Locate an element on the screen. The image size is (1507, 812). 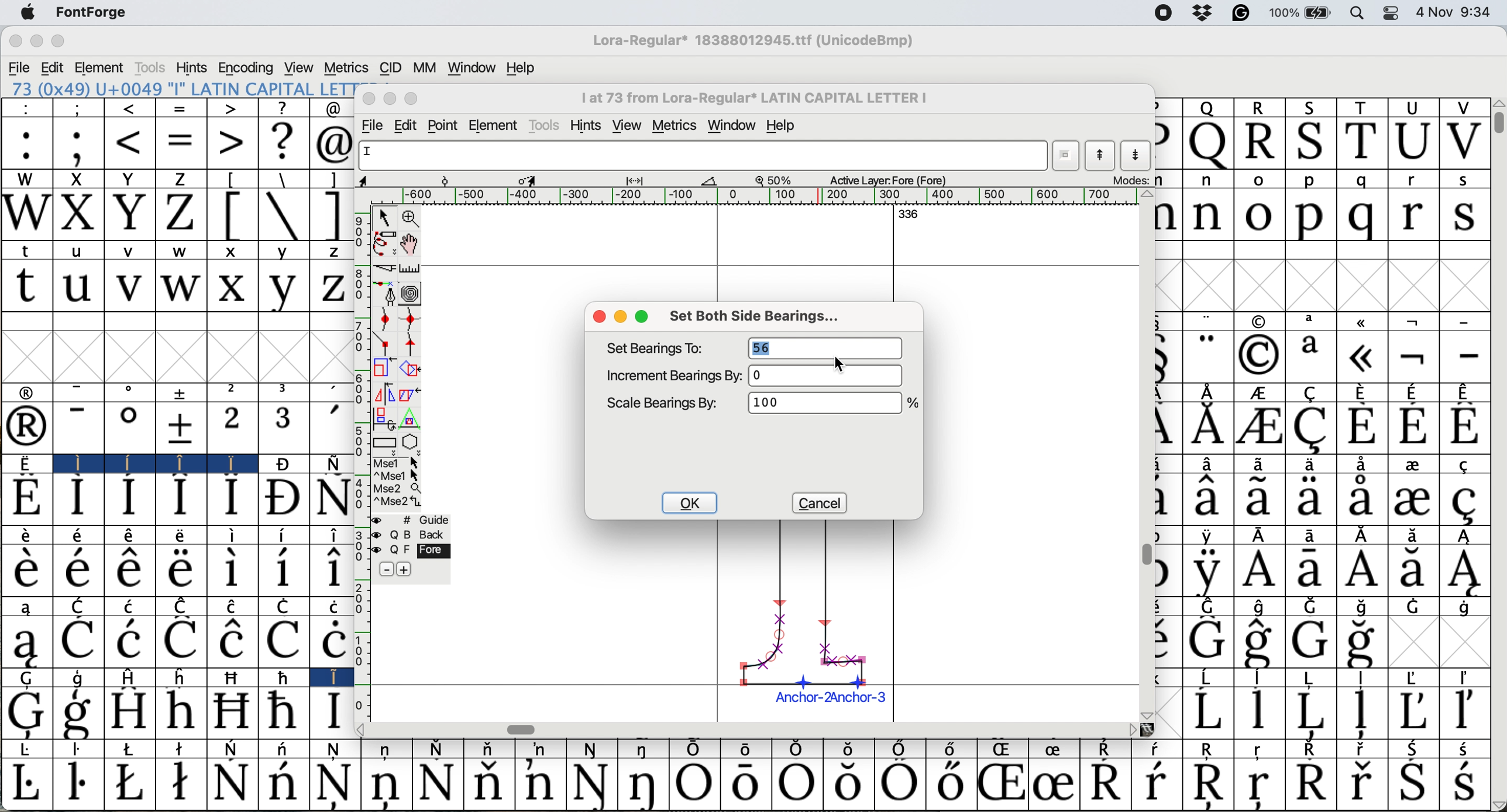
\ is located at coordinates (284, 215).